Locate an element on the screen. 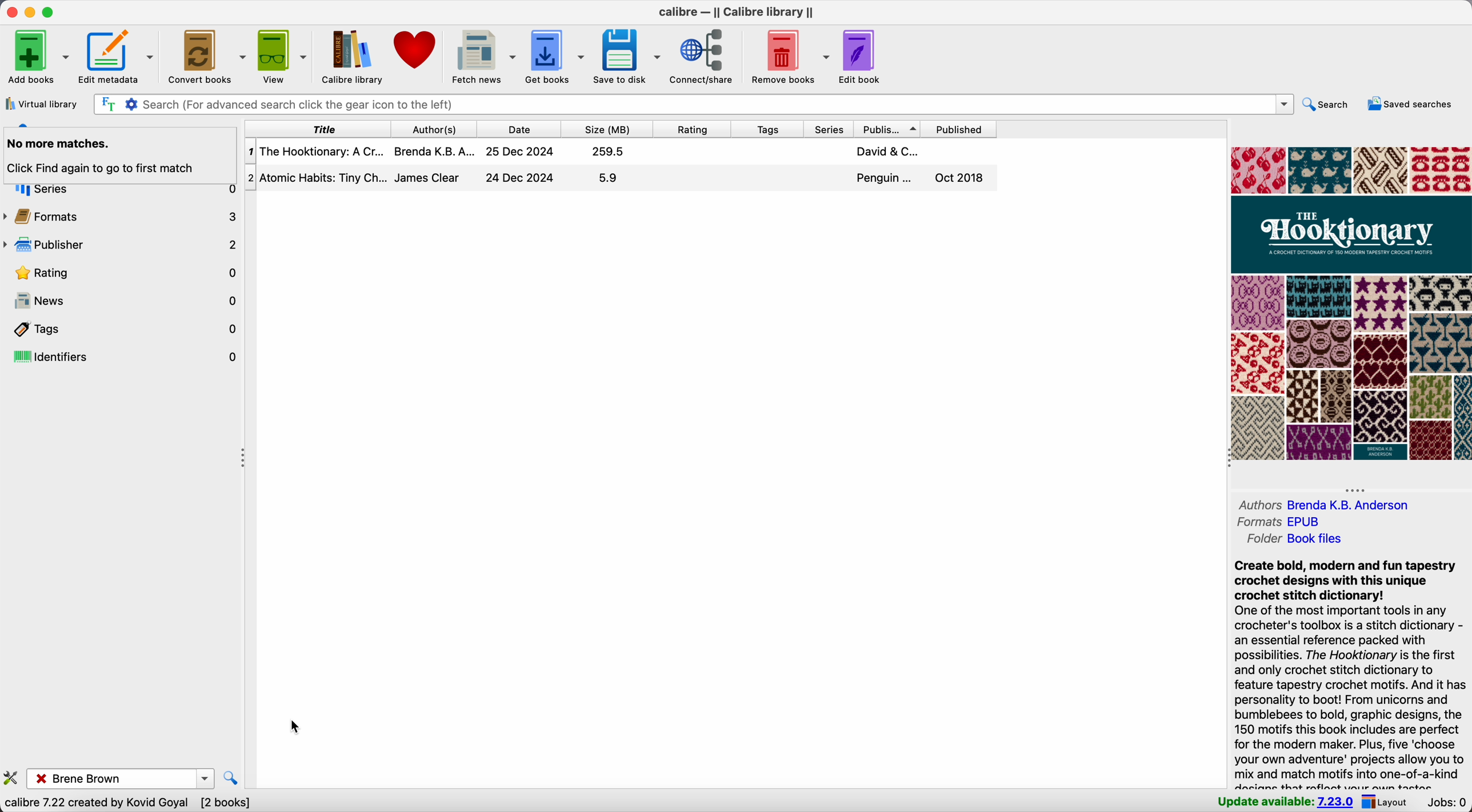  close is located at coordinates (37, 780).